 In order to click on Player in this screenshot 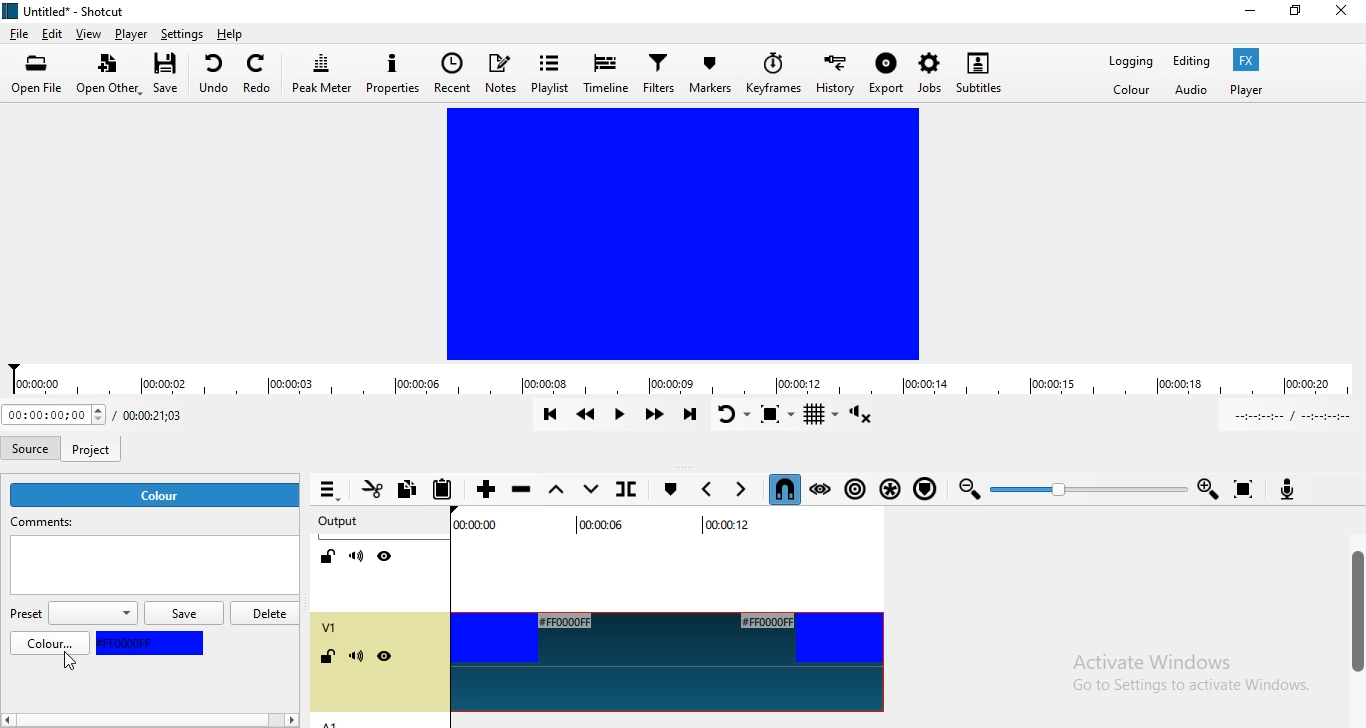, I will do `click(132, 34)`.